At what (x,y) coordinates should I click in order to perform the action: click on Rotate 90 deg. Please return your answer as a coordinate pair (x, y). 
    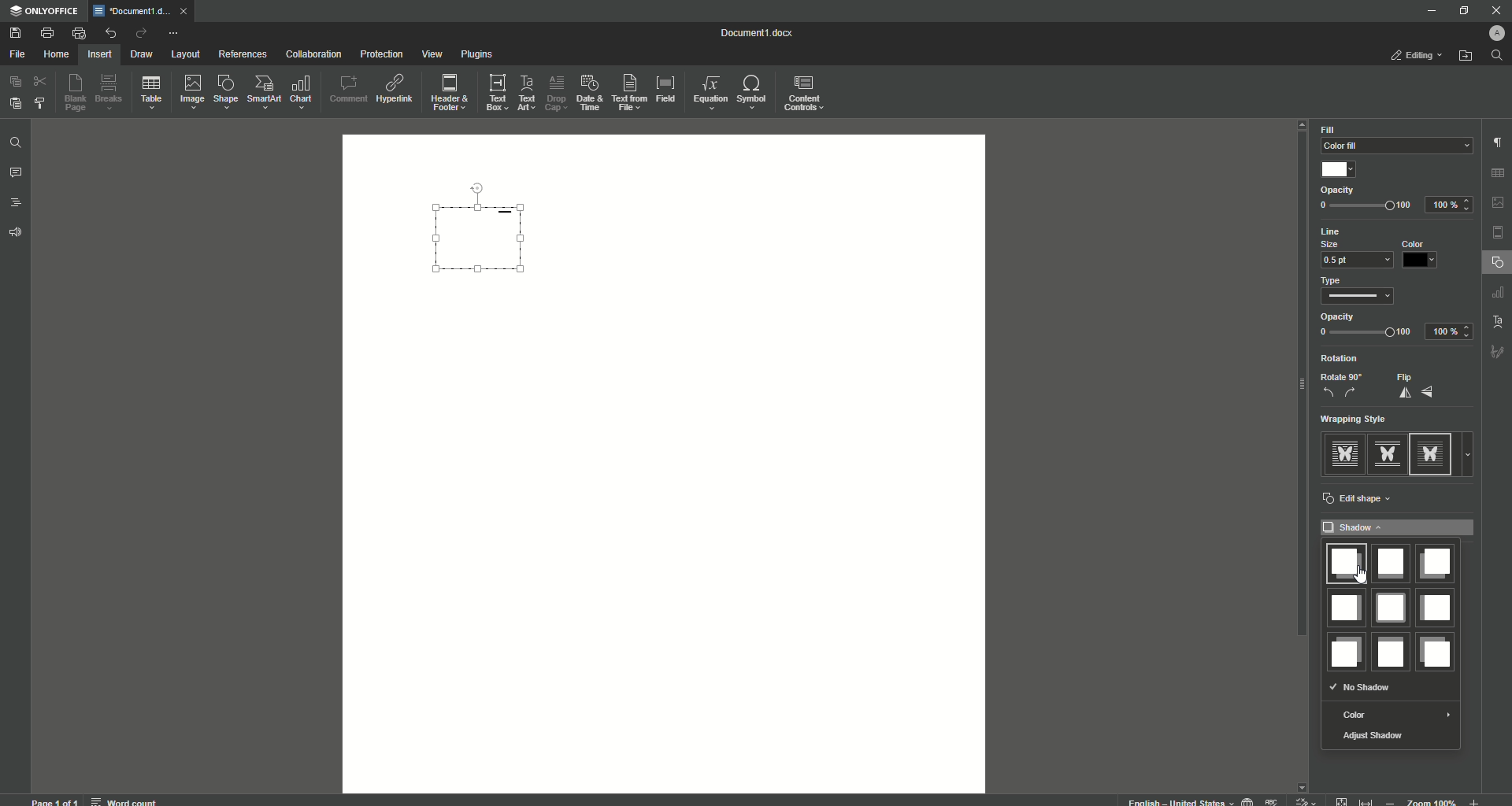
    Looking at the image, I should click on (1341, 386).